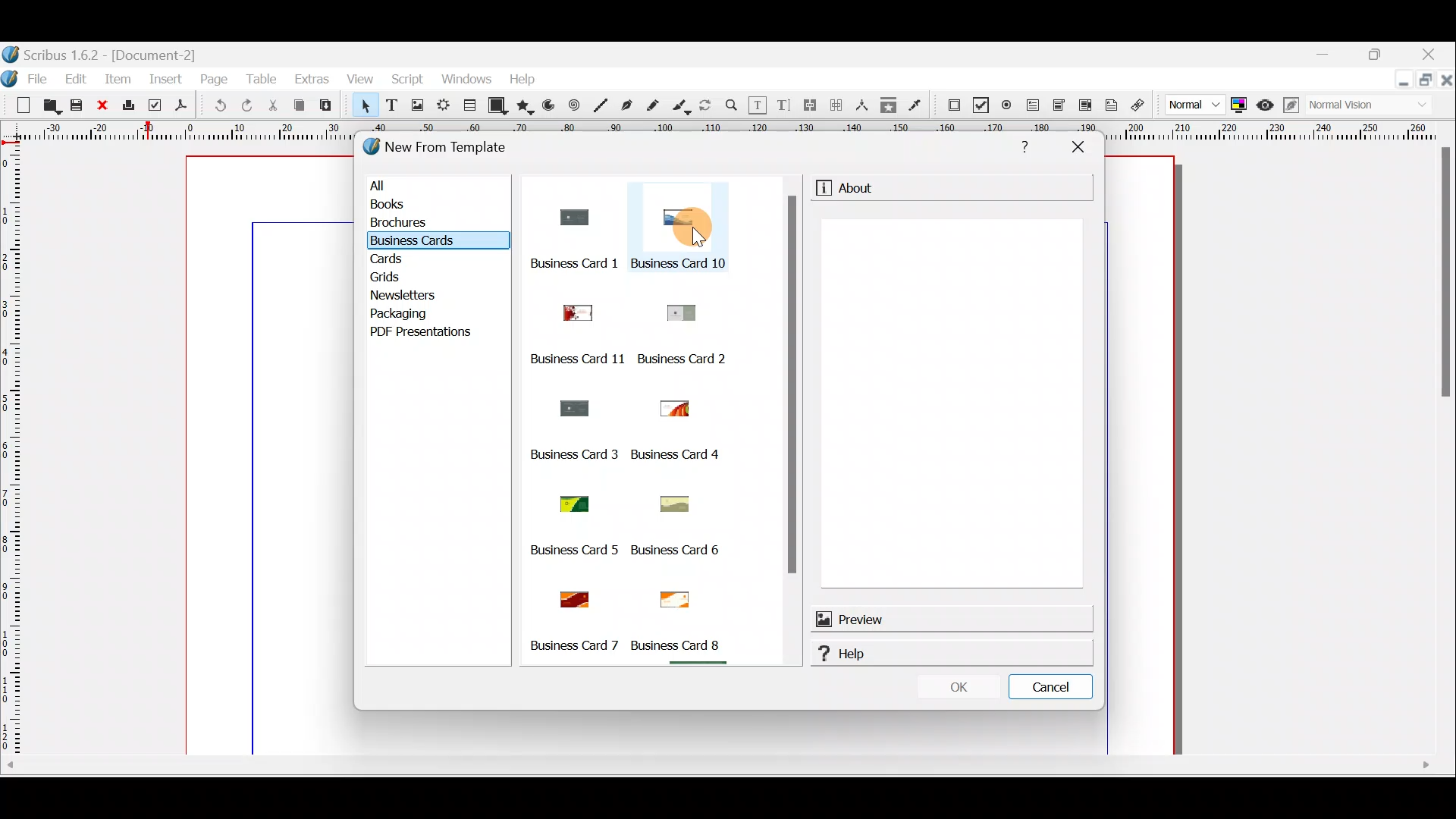 This screenshot has width=1456, height=819. What do you see at coordinates (403, 295) in the screenshot?
I see `Newsletters` at bounding box center [403, 295].